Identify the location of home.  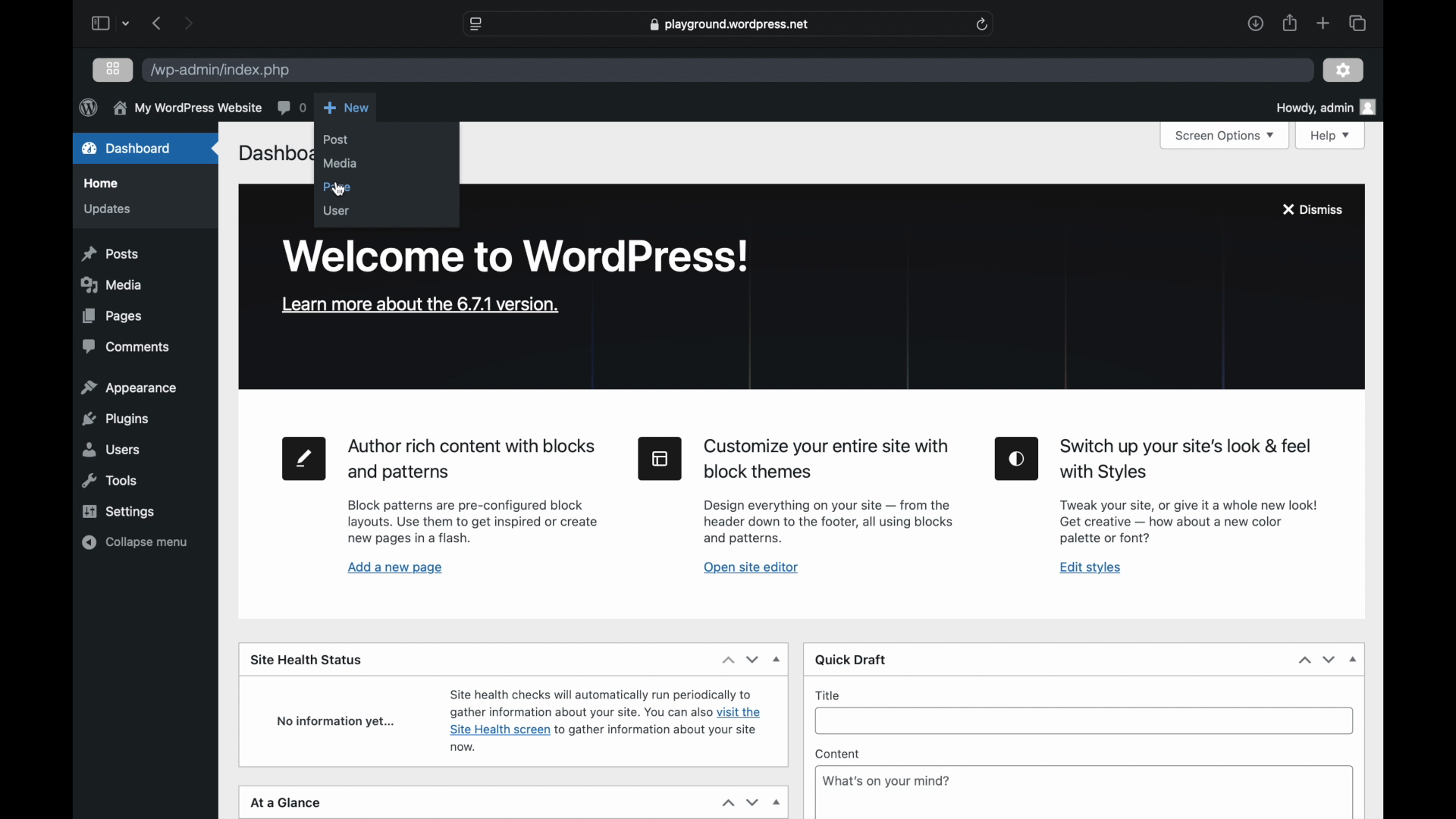
(102, 184).